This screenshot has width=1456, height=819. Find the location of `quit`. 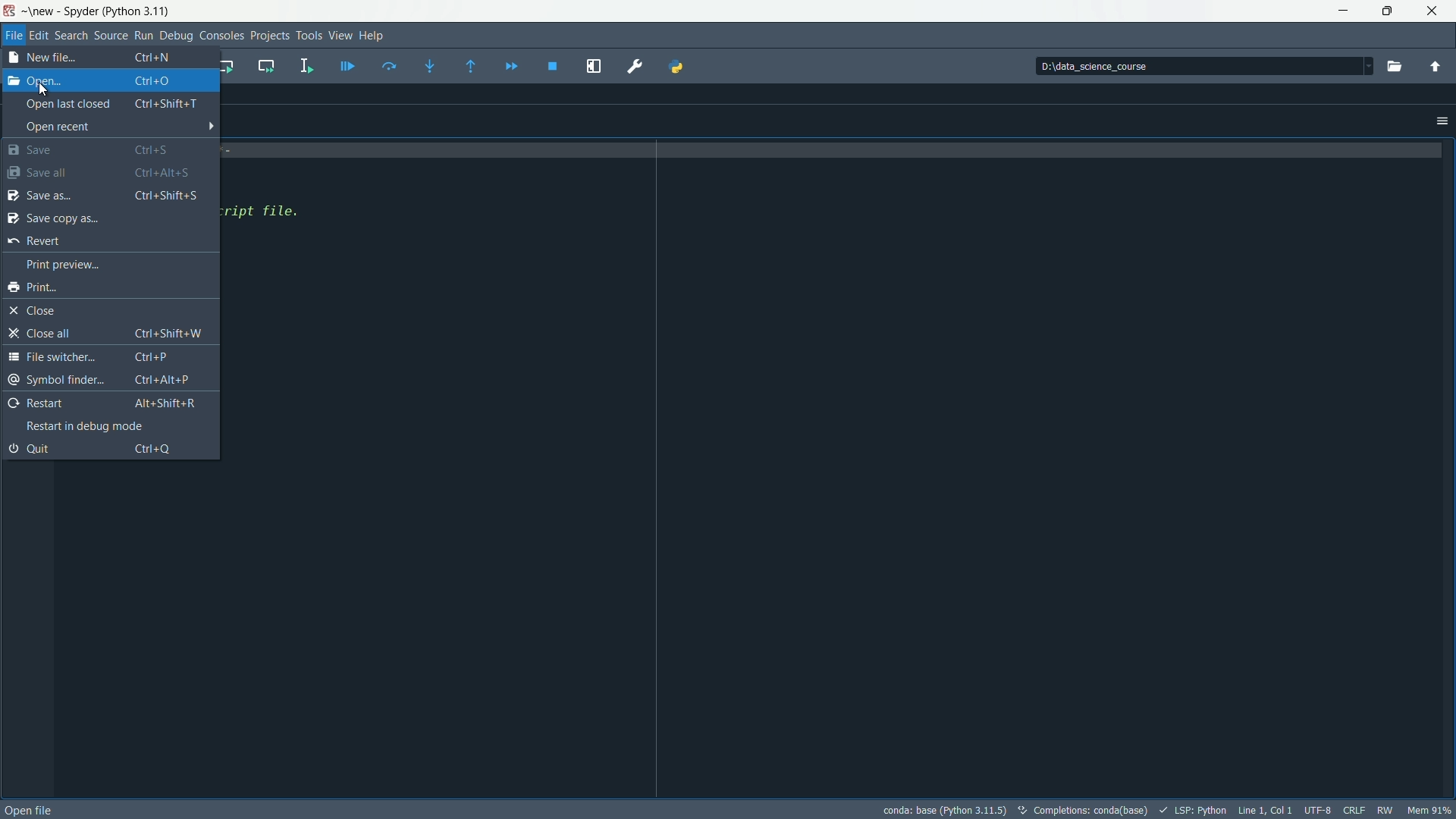

quit is located at coordinates (95, 450).